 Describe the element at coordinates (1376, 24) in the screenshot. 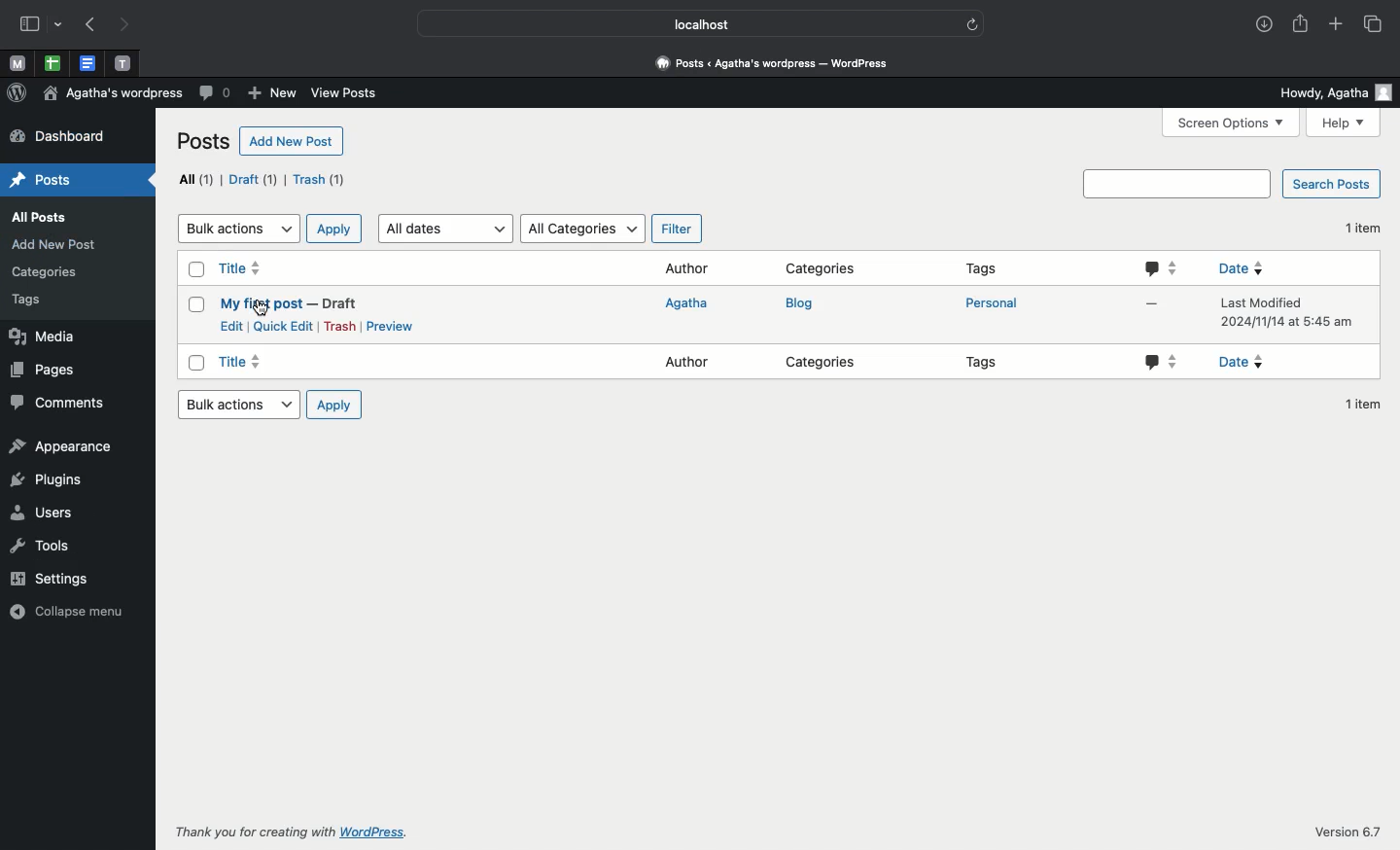

I see `Tabs` at that location.